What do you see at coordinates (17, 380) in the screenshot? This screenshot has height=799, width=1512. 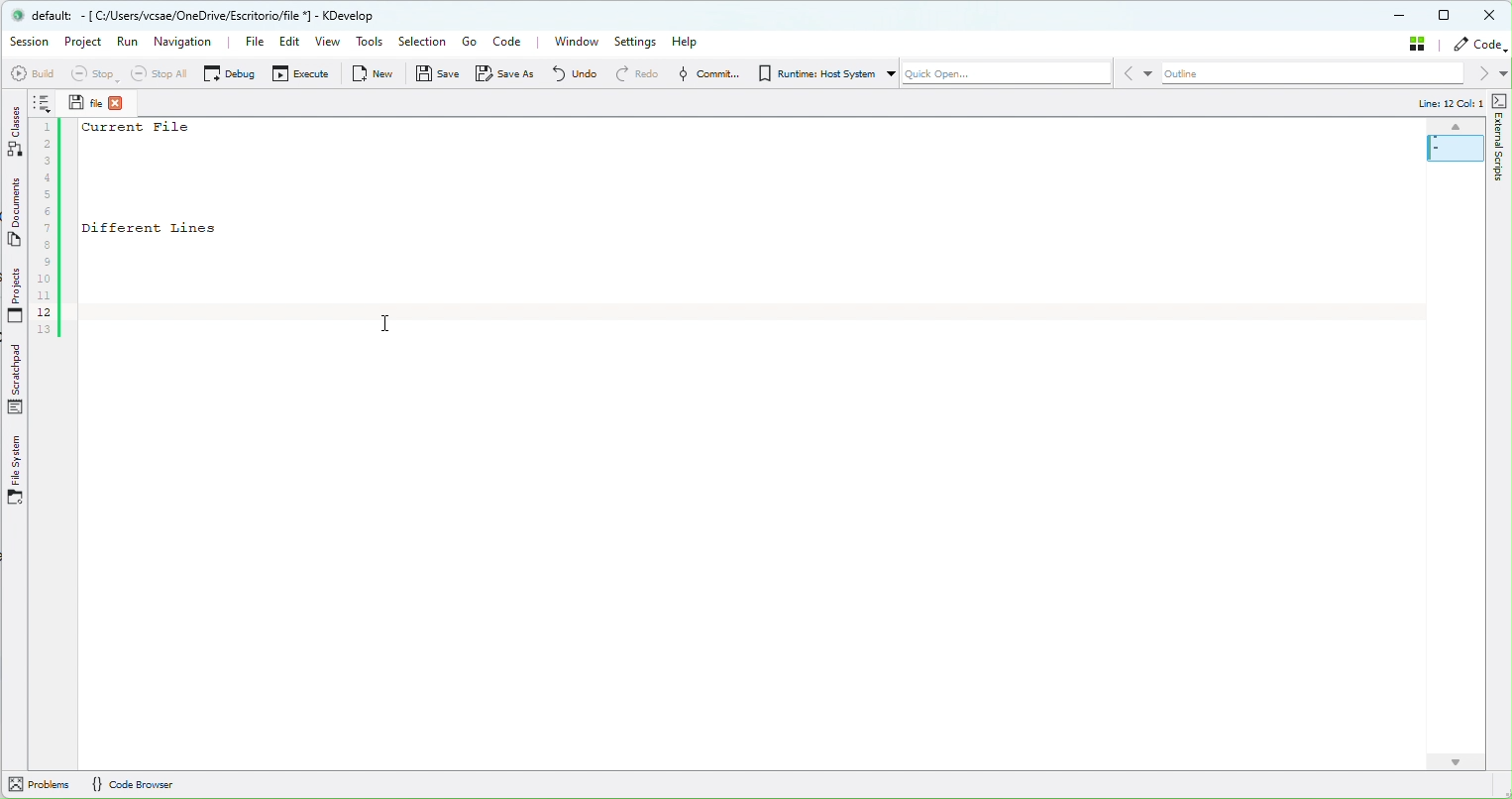 I see `Scratchpad` at bounding box center [17, 380].